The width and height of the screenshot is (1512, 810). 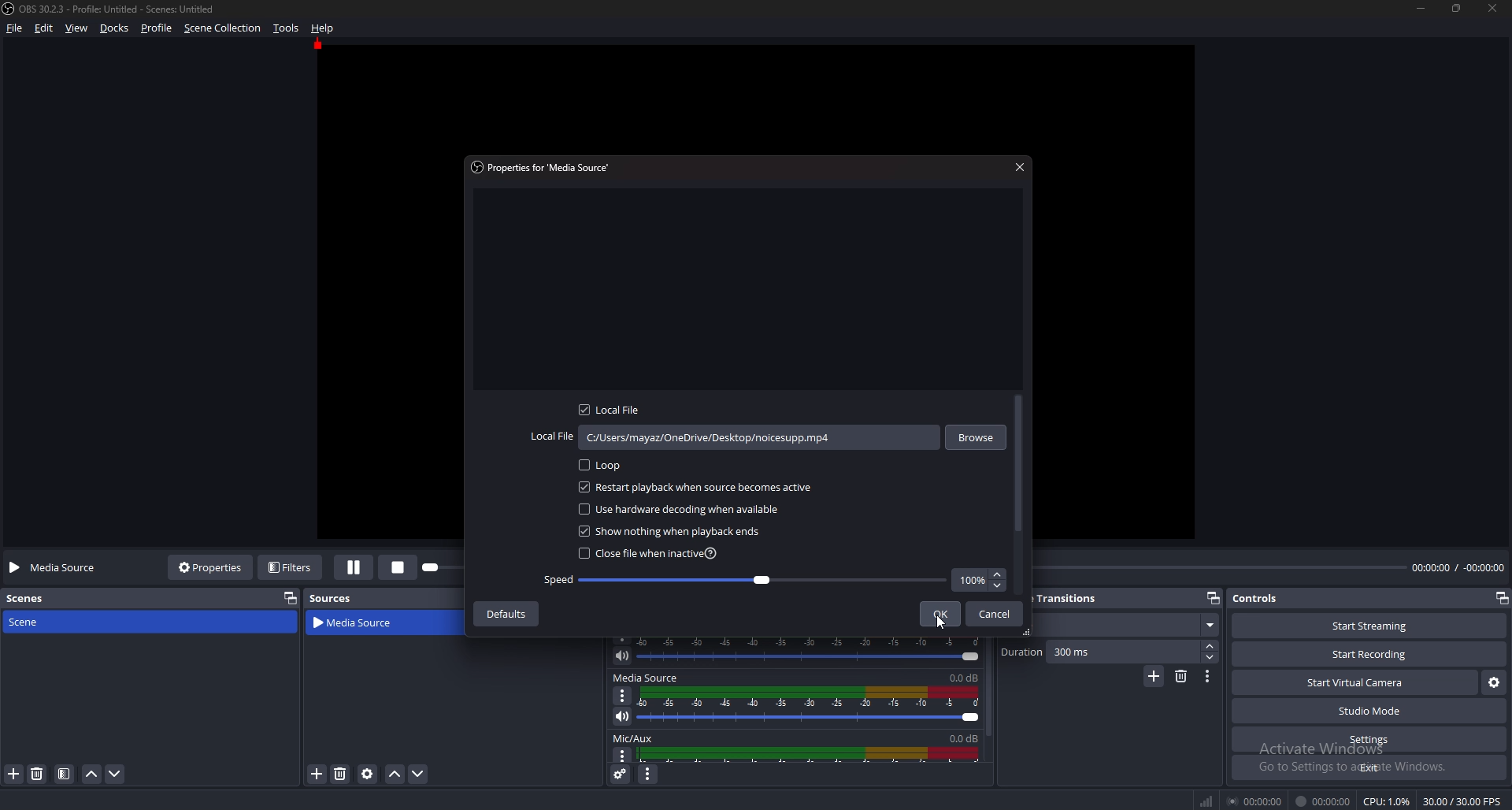 What do you see at coordinates (1207, 677) in the screenshot?
I see `Transition properties` at bounding box center [1207, 677].